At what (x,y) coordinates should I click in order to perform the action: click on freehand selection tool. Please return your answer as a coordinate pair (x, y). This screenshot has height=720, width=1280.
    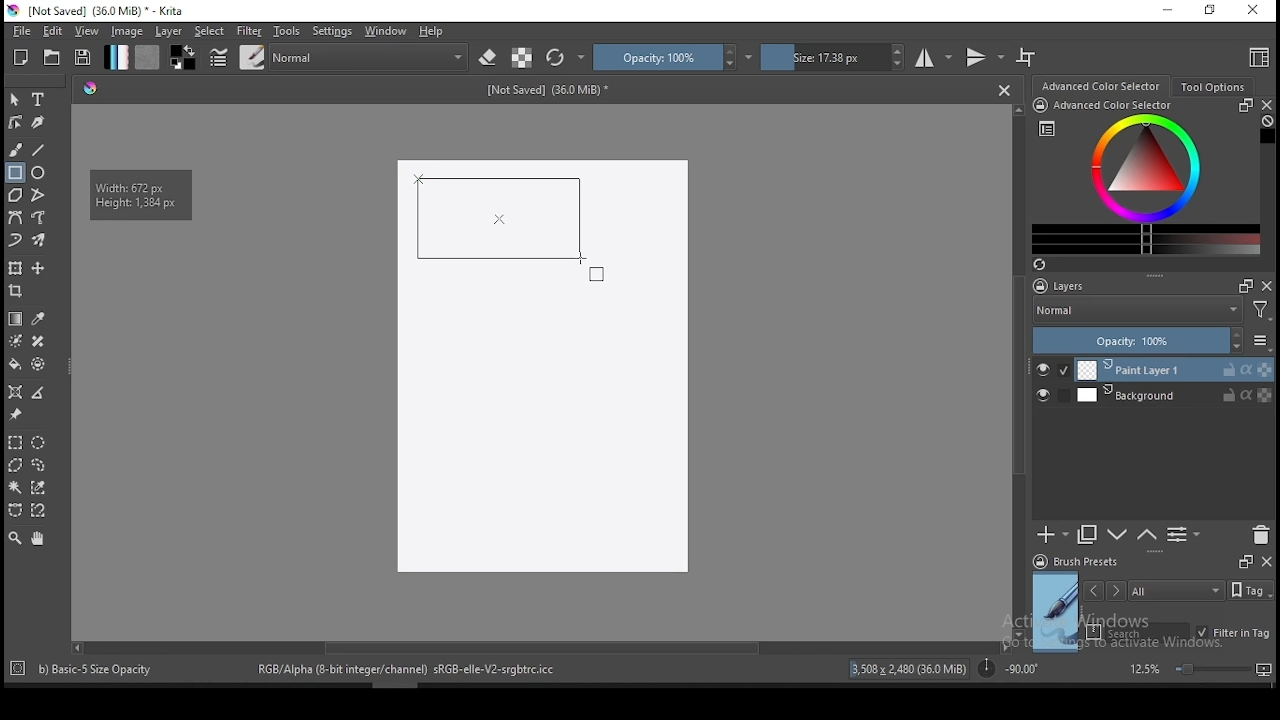
    Looking at the image, I should click on (39, 465).